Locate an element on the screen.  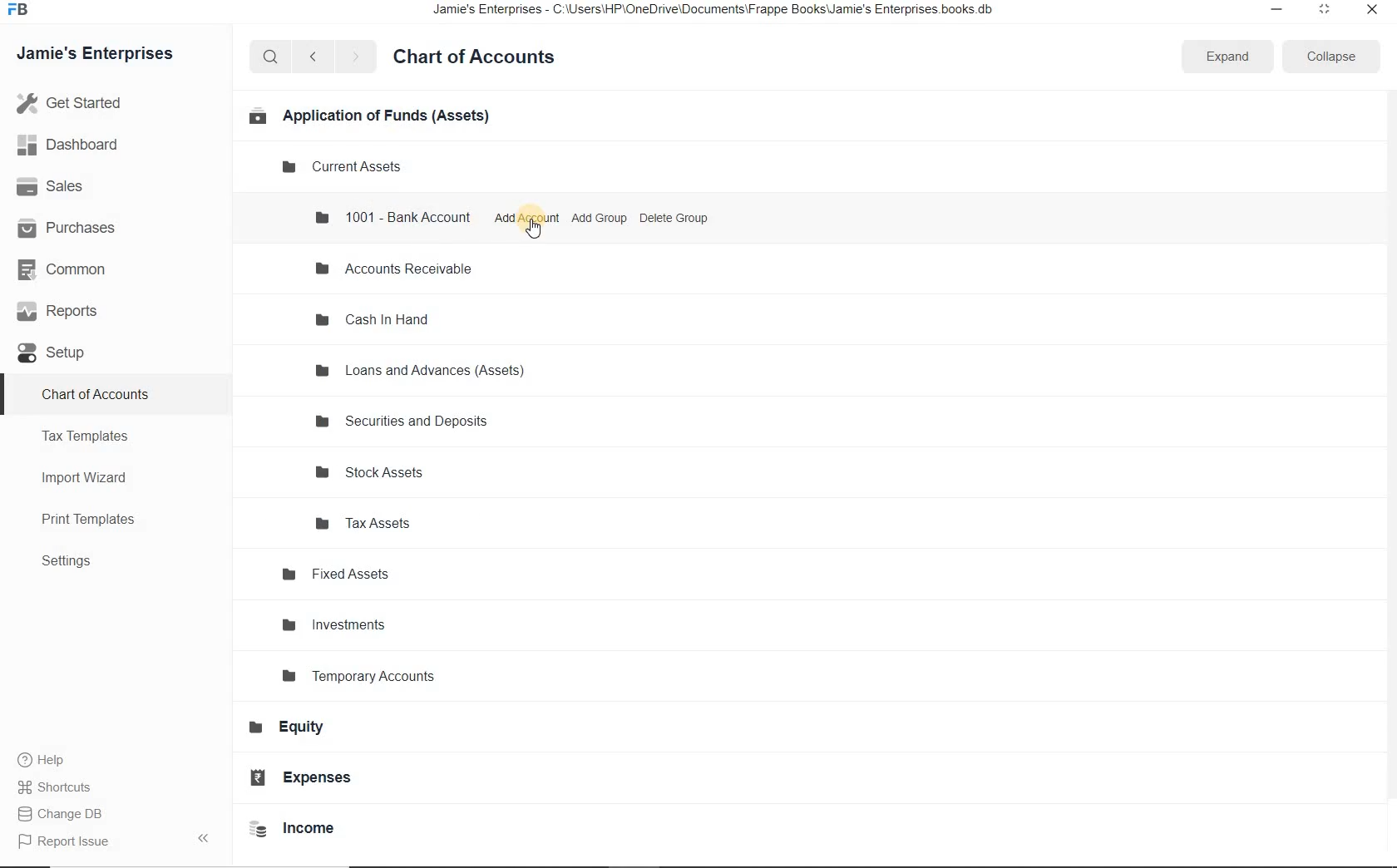
common is located at coordinates (77, 272).